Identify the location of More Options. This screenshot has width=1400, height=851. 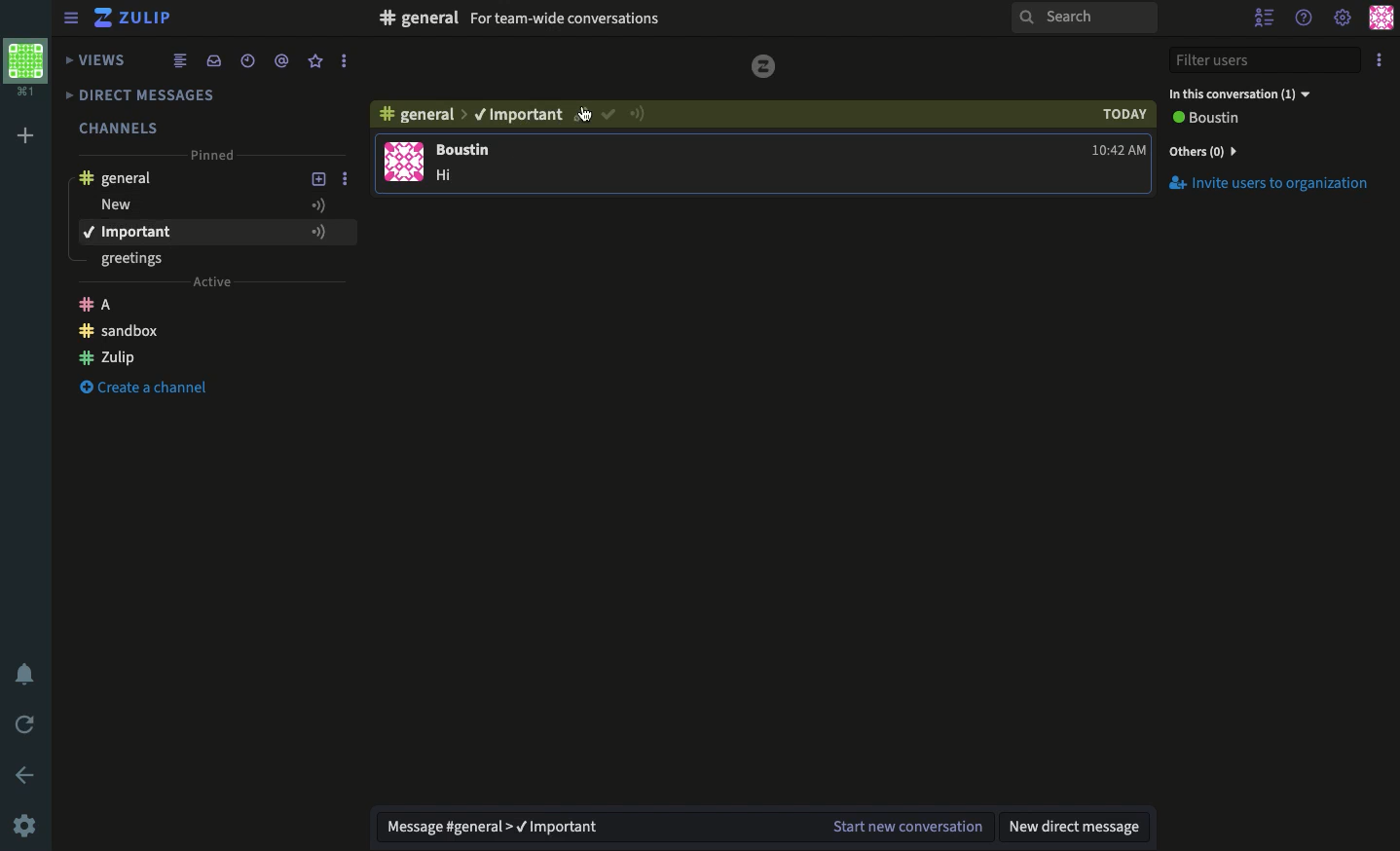
(351, 232).